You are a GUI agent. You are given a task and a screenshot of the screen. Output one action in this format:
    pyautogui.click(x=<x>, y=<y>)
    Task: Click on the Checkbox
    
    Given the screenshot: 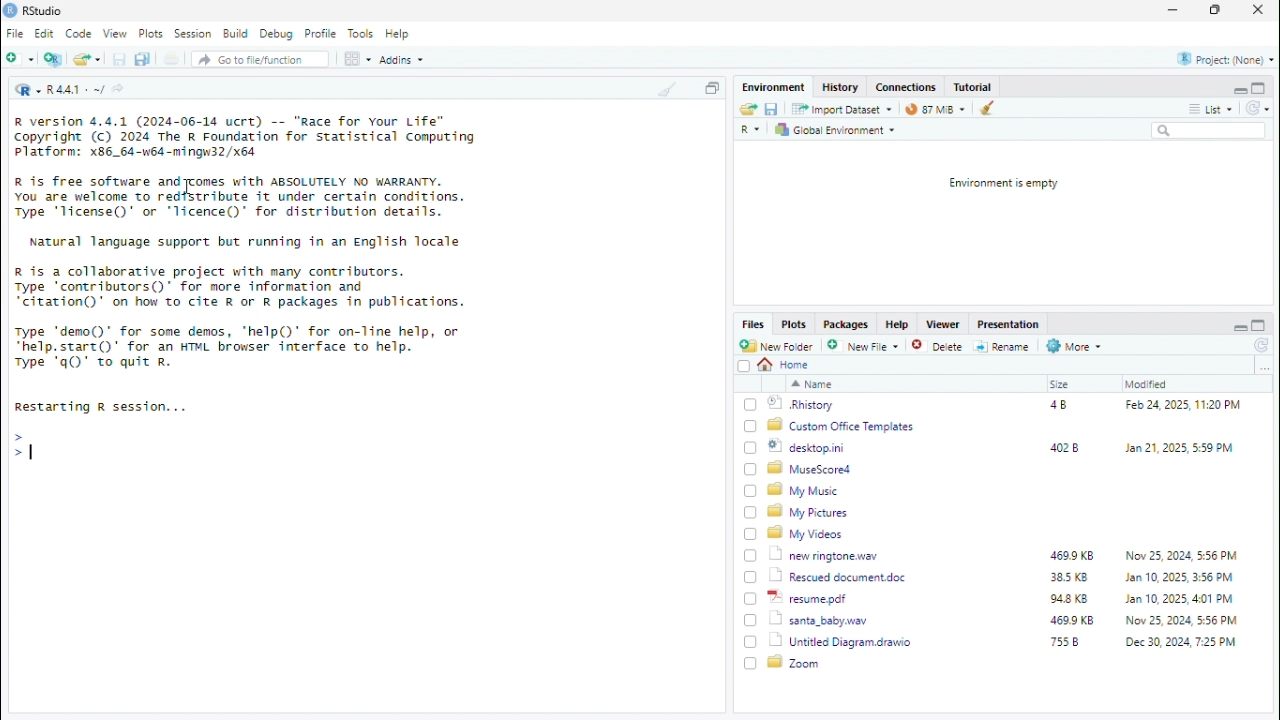 What is the action you would take?
    pyautogui.click(x=751, y=600)
    